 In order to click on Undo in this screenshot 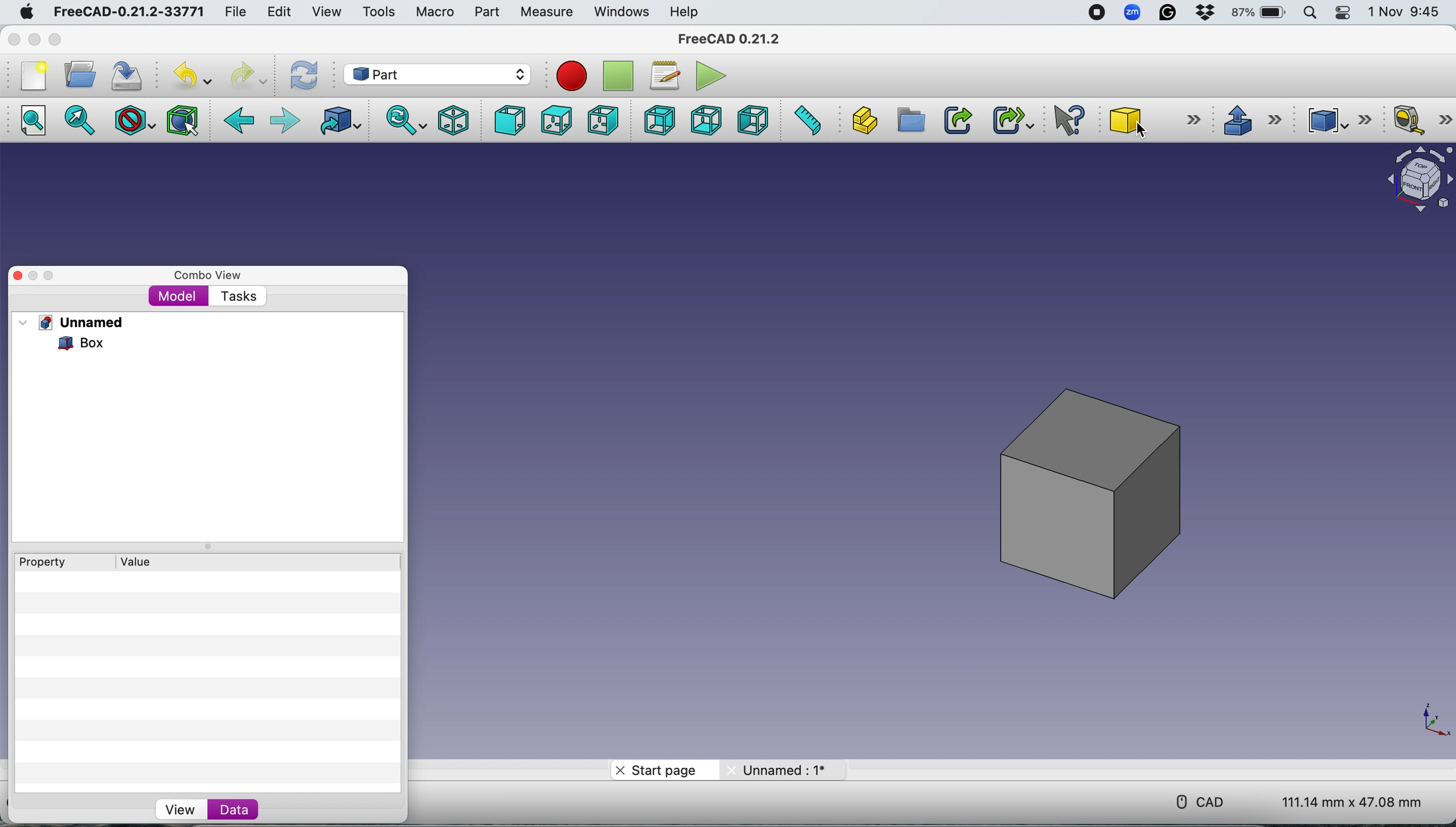, I will do `click(195, 76)`.